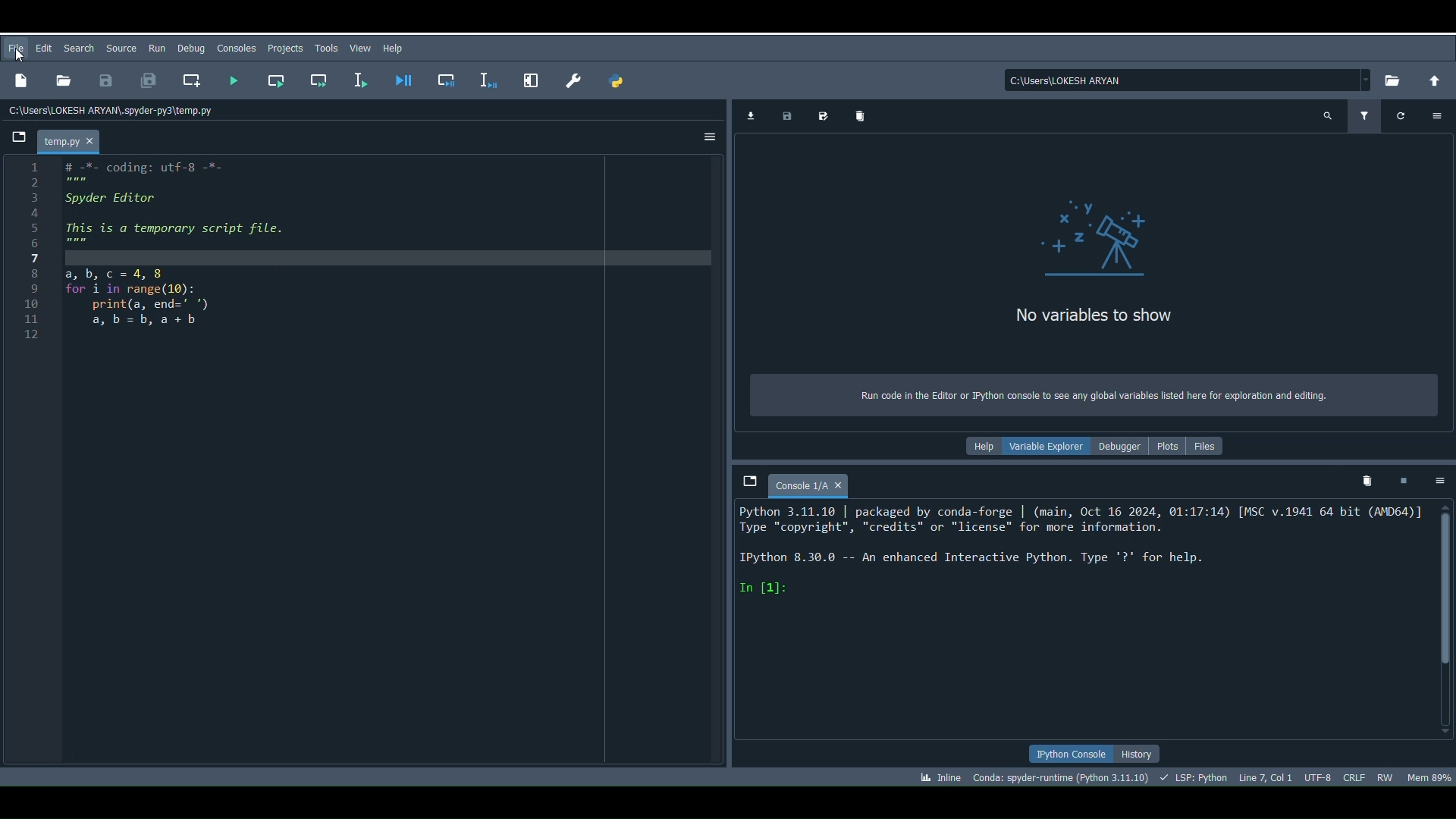 This screenshot has width=1456, height=819. I want to click on , so click(528, 77).